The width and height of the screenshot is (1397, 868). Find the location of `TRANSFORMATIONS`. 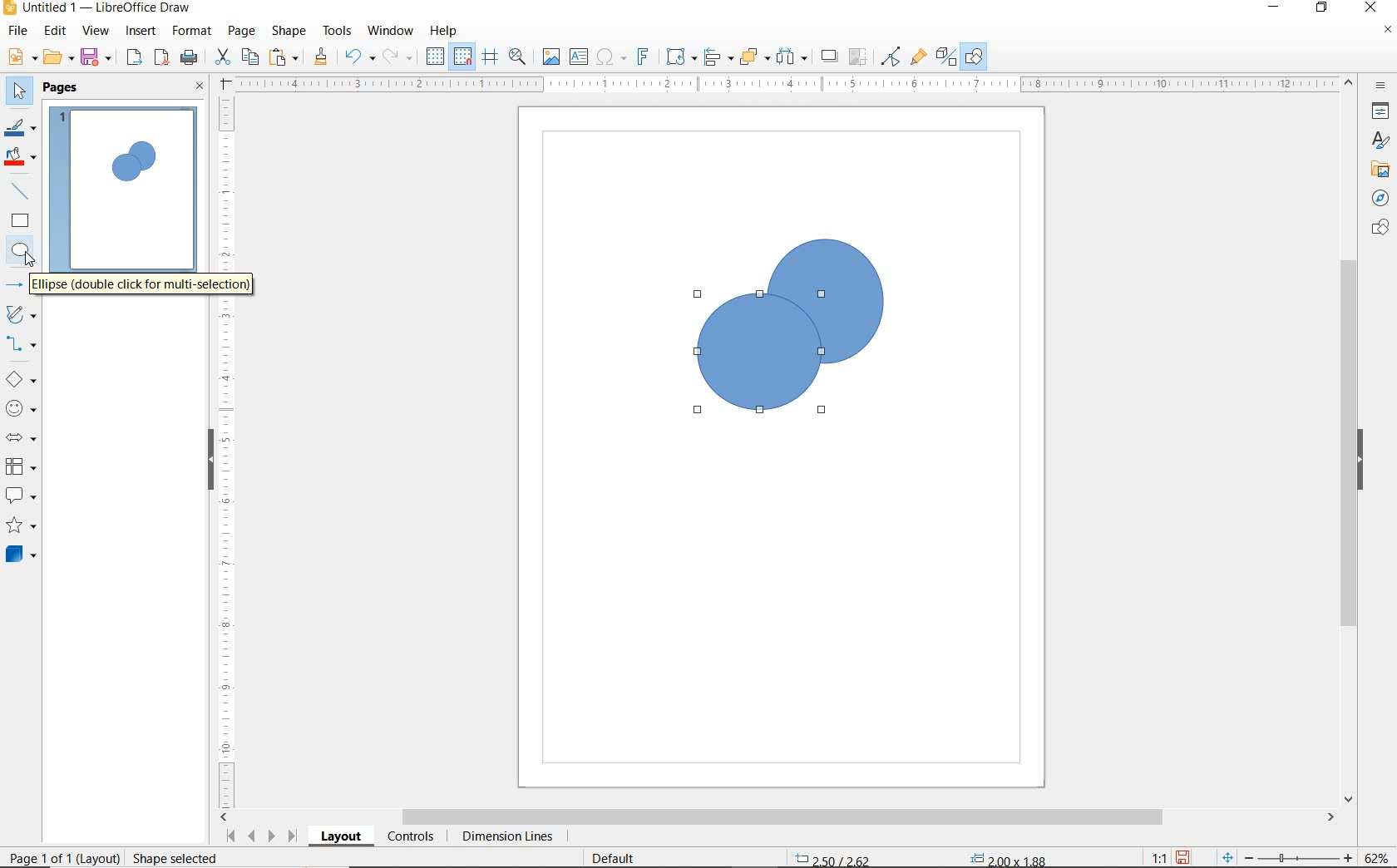

TRANSFORMATIONS is located at coordinates (679, 57).